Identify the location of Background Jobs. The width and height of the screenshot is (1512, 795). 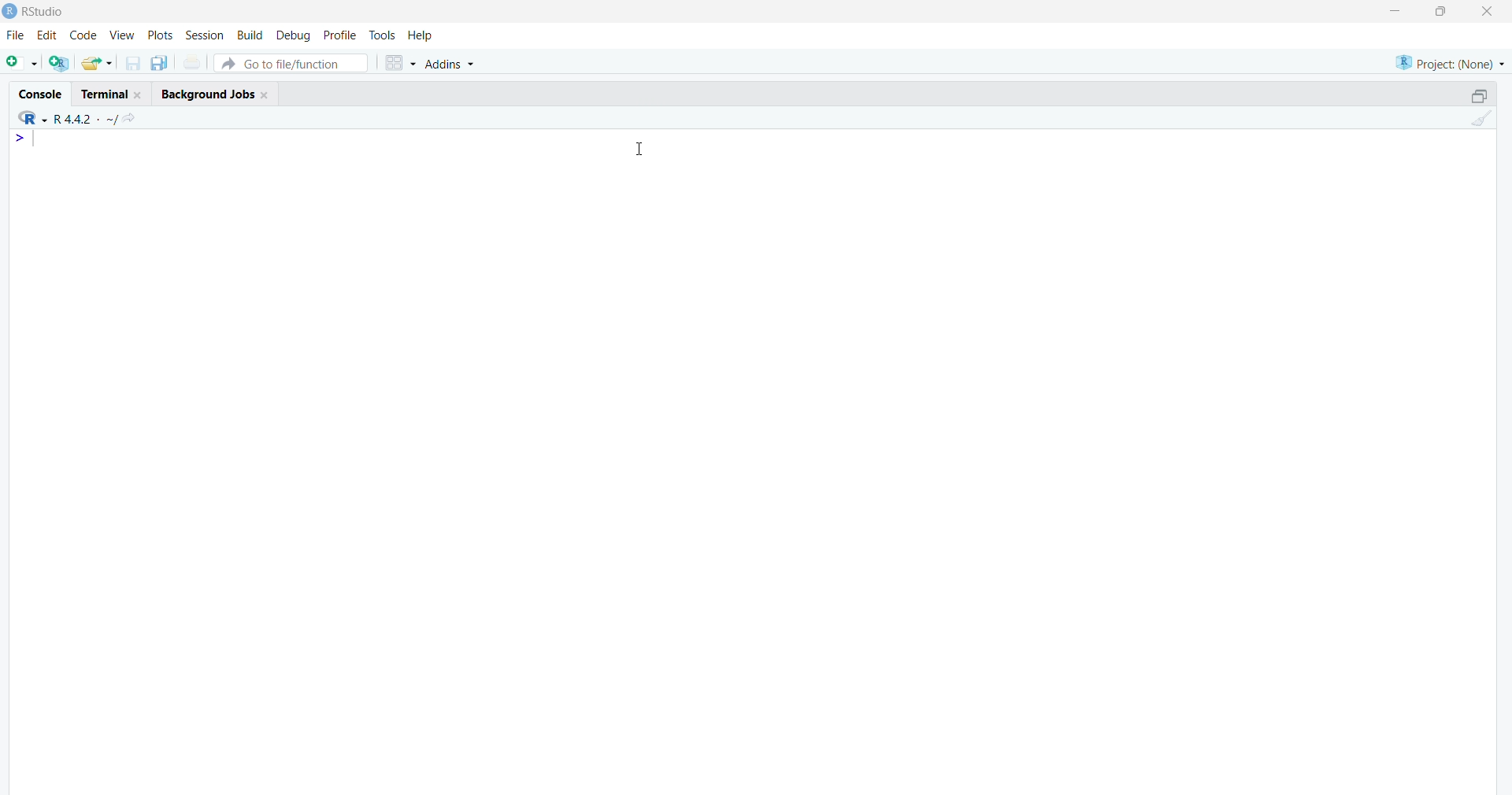
(214, 91).